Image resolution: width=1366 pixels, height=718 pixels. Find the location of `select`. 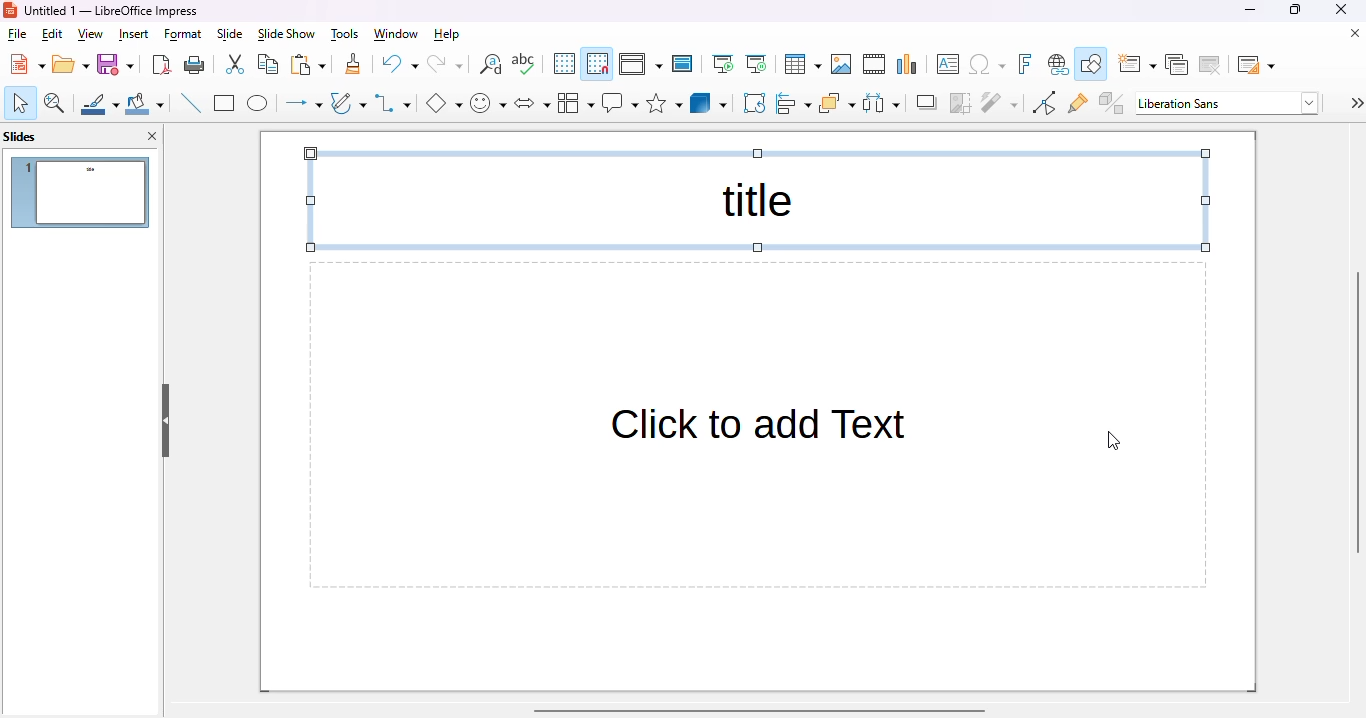

select is located at coordinates (20, 103).